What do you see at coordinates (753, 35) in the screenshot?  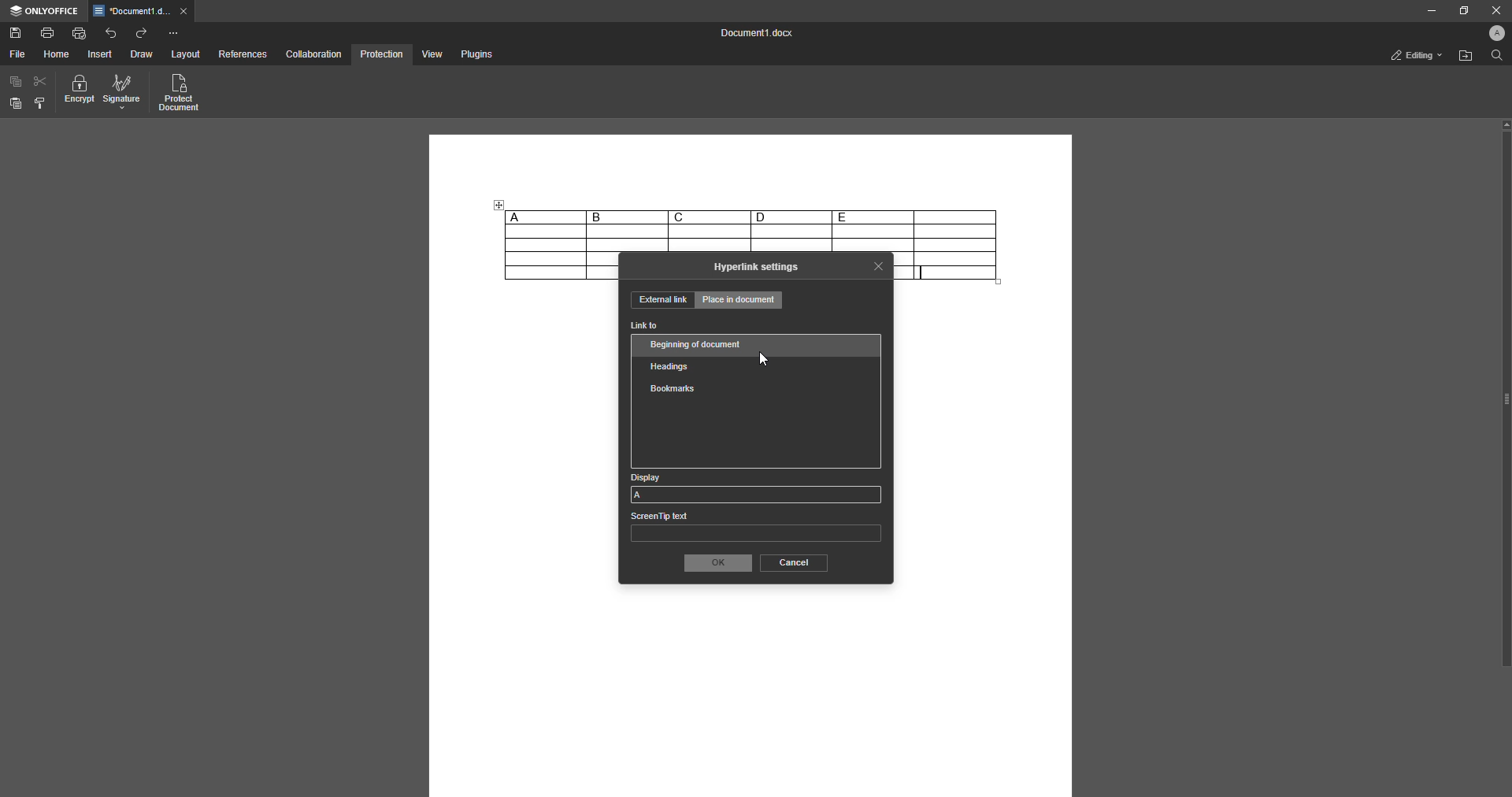 I see `Document 1` at bounding box center [753, 35].